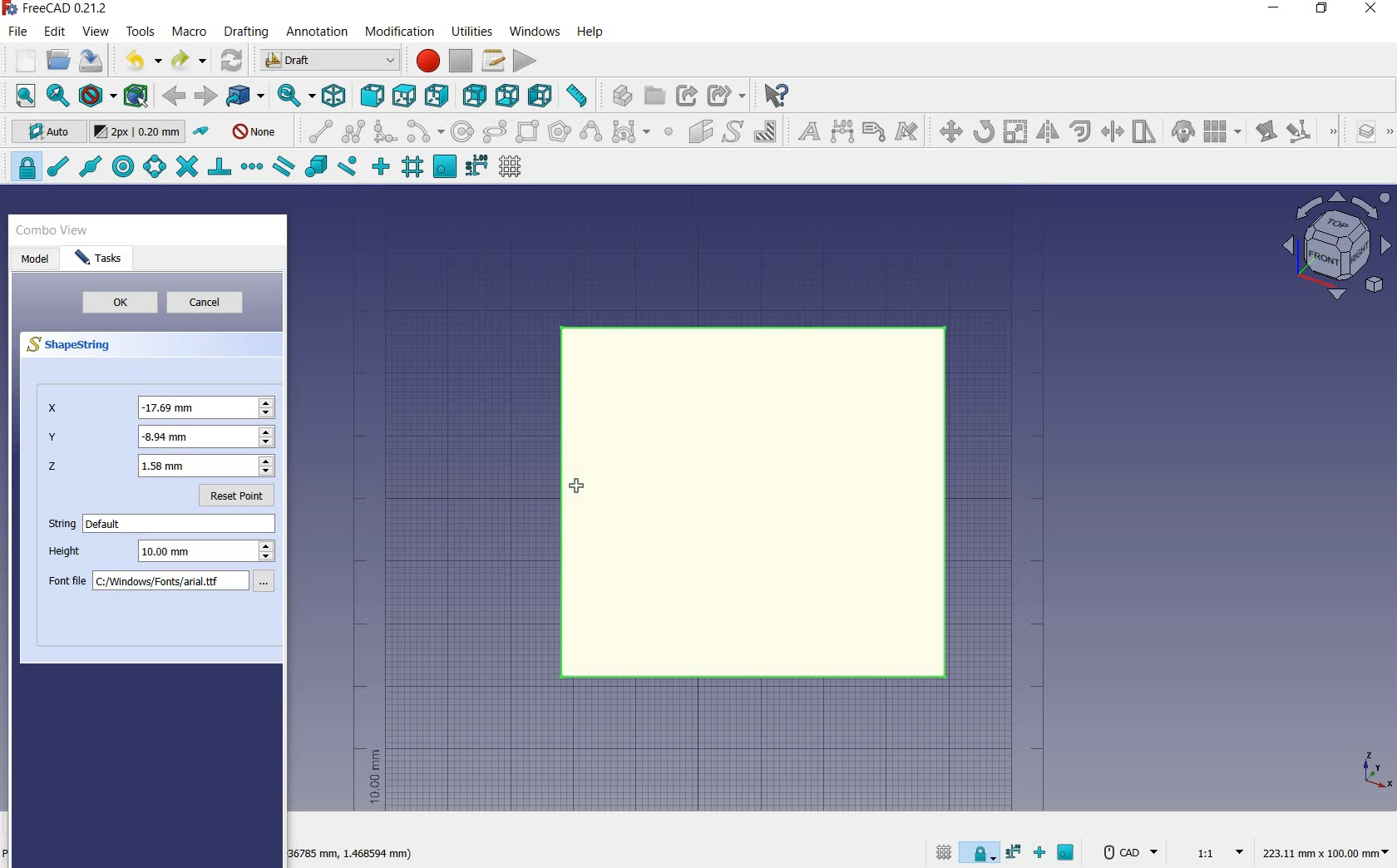 The width and height of the screenshot is (1397, 868). Describe the element at coordinates (89, 165) in the screenshot. I see `snap midpoint` at that location.